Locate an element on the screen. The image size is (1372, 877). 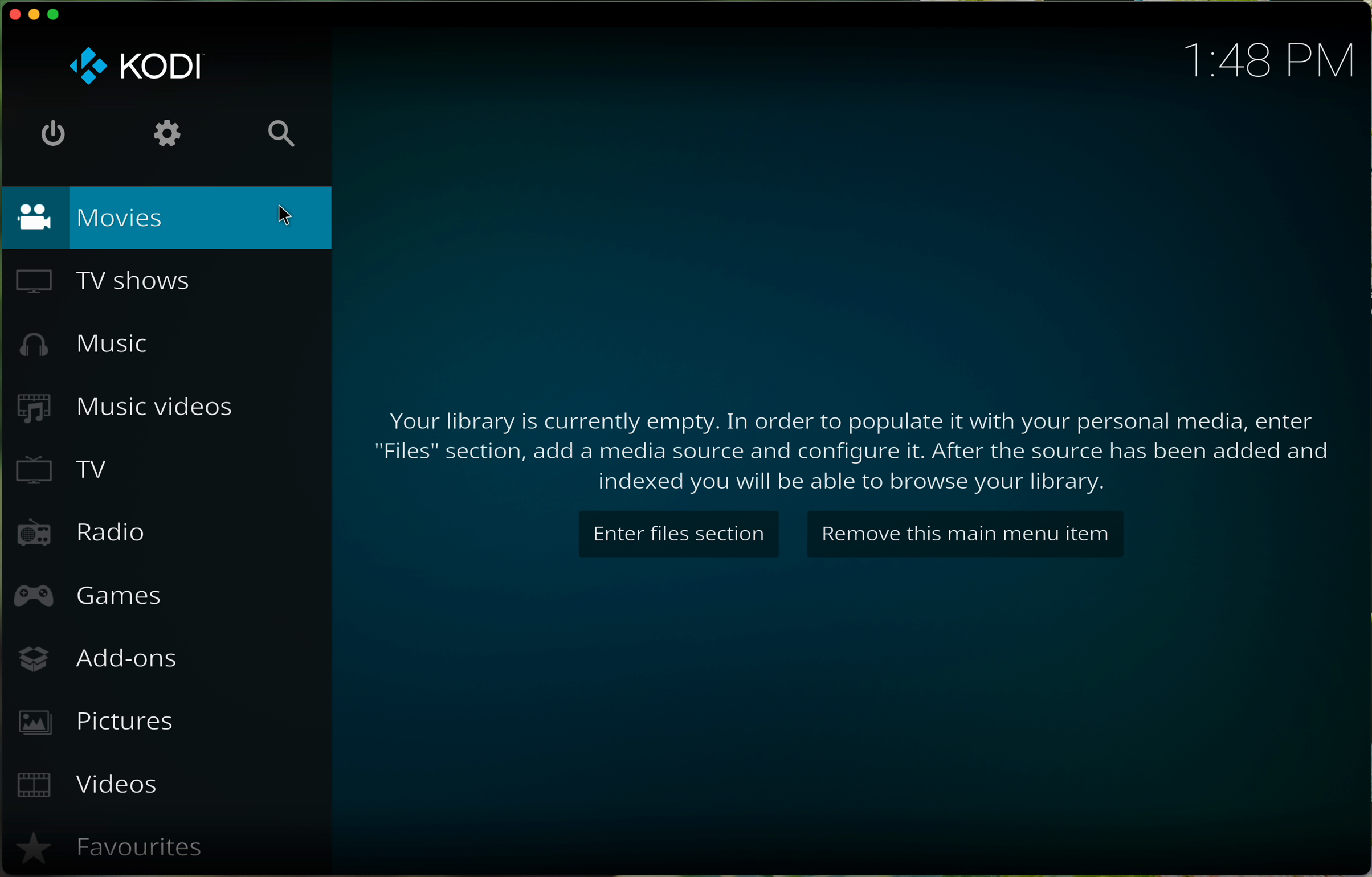
minimise is located at coordinates (36, 13).